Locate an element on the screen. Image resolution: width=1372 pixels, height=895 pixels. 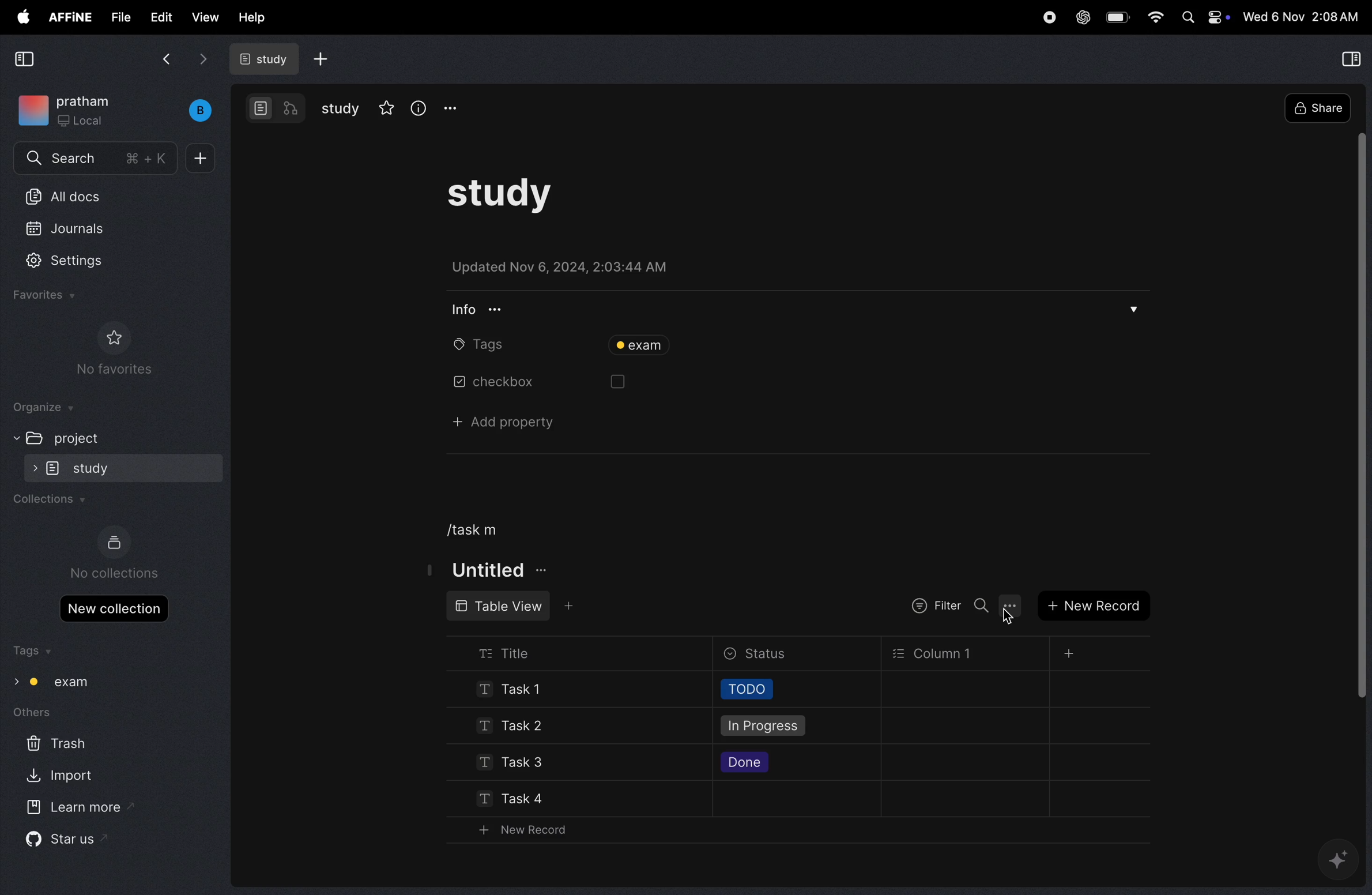
study task is located at coordinates (518, 194).